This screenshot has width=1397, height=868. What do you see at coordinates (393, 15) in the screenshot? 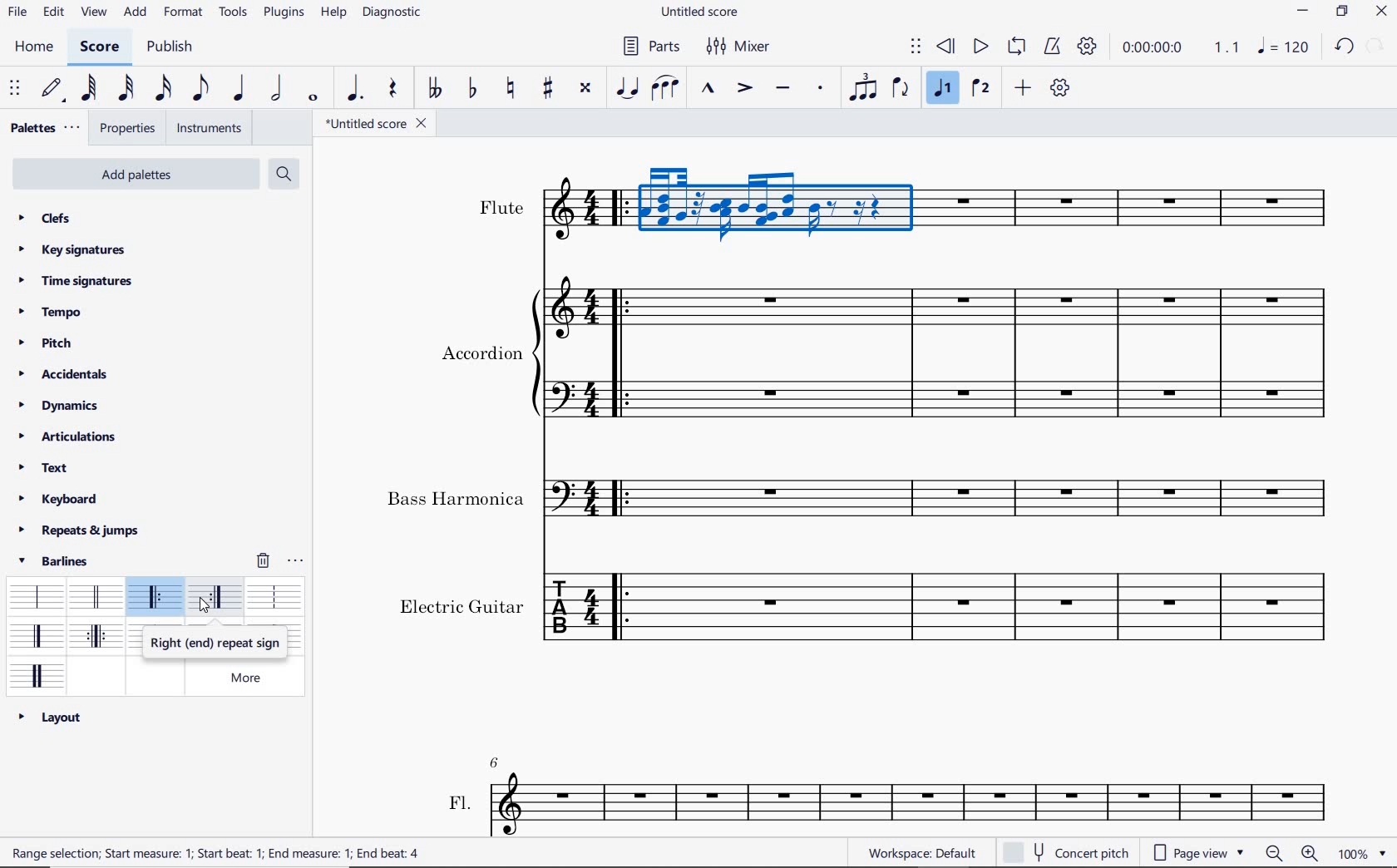
I see `diagnostic` at bounding box center [393, 15].